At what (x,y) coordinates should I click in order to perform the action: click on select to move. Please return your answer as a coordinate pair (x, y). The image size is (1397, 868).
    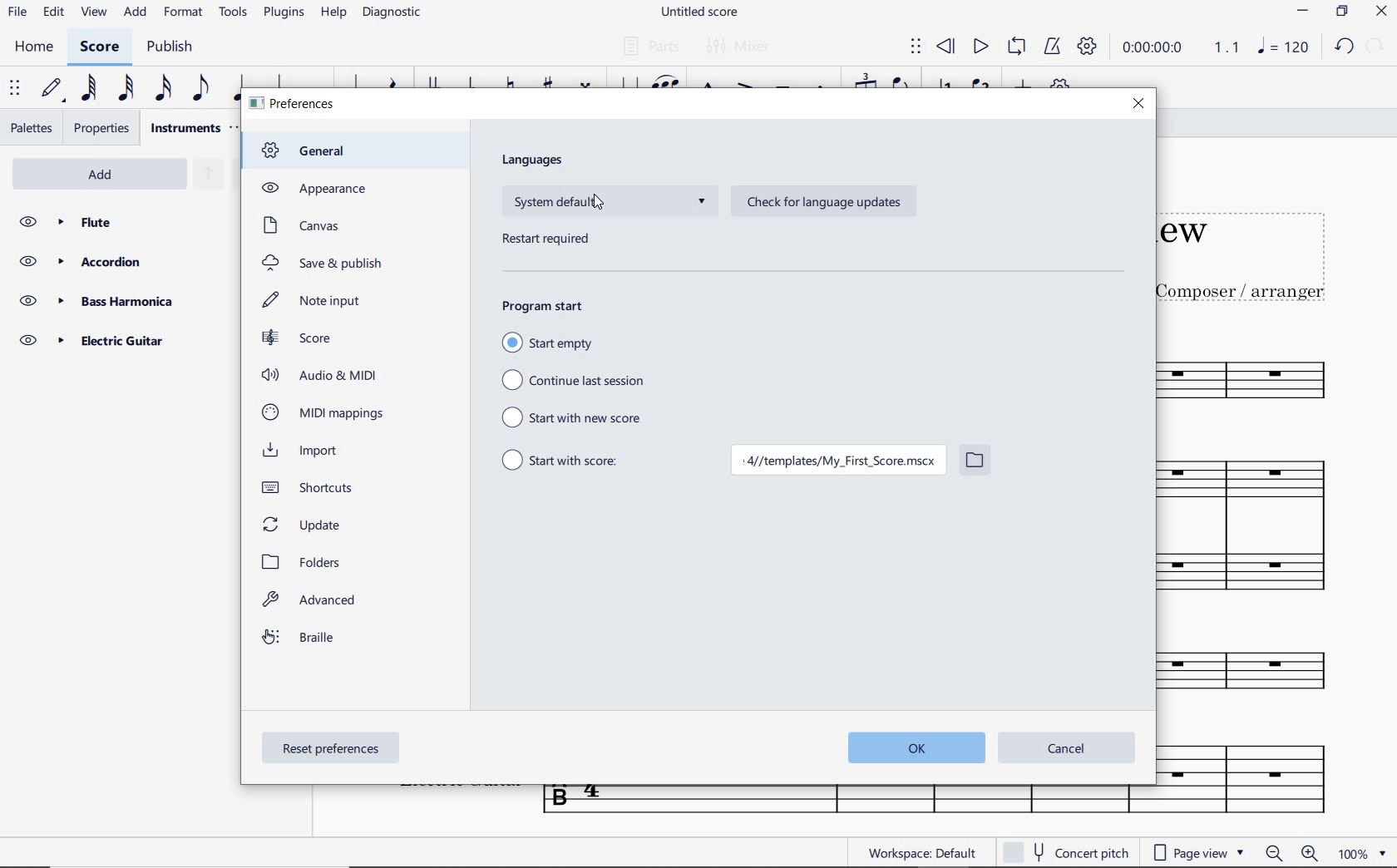
    Looking at the image, I should click on (916, 47).